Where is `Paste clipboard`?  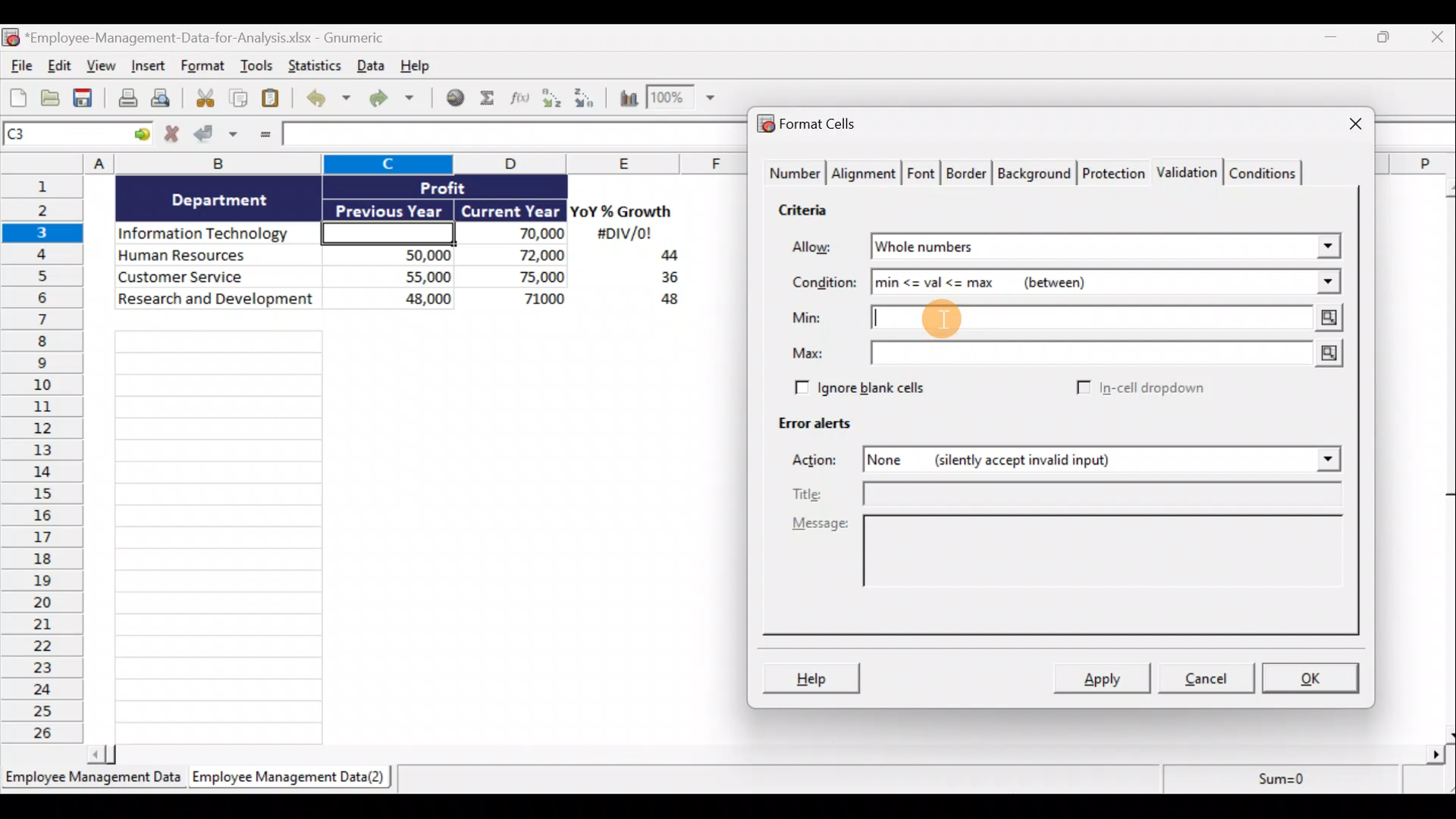
Paste clipboard is located at coordinates (275, 99).